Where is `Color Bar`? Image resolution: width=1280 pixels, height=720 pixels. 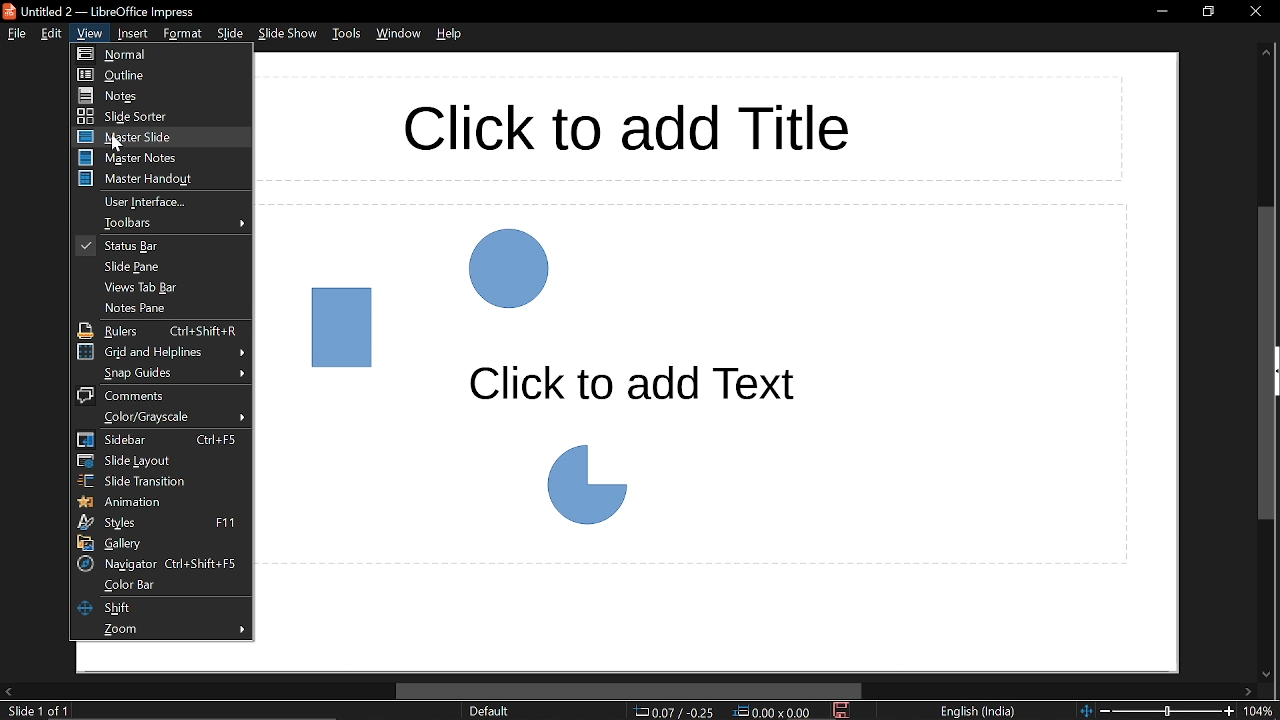 Color Bar is located at coordinates (158, 585).